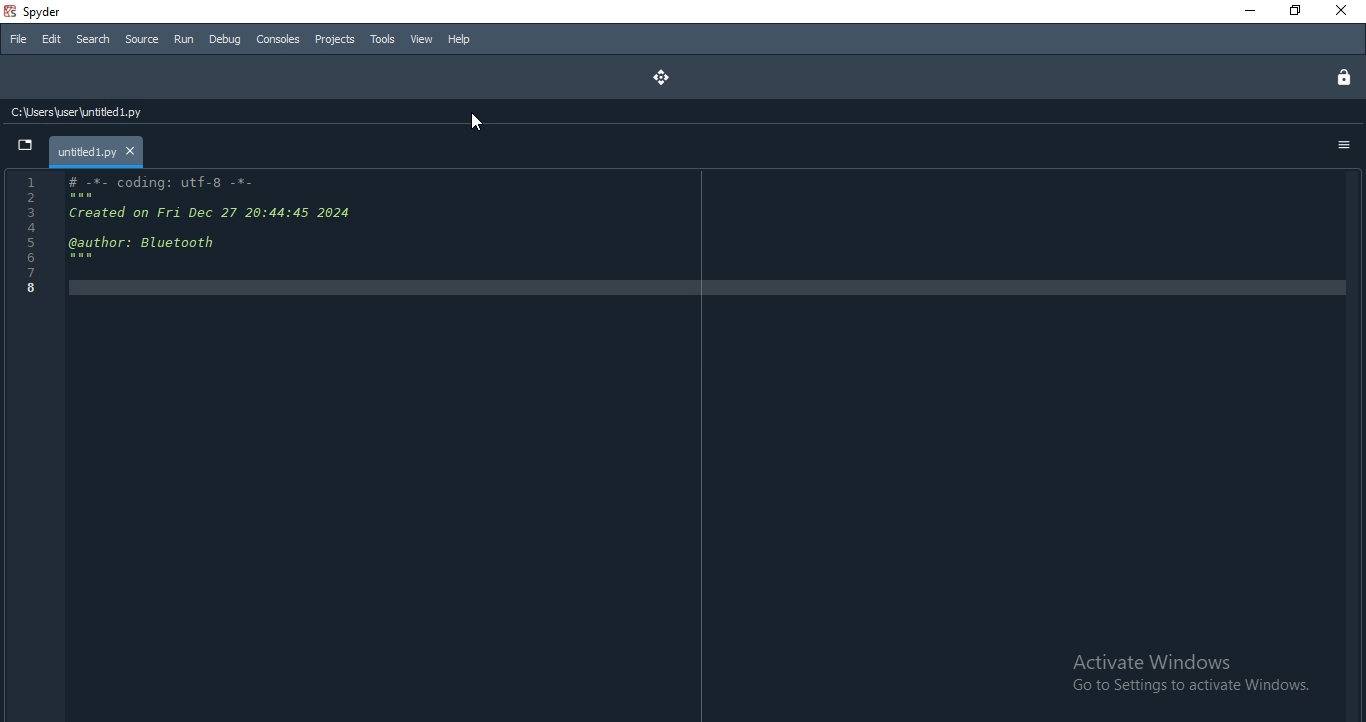  Describe the element at coordinates (216, 239) in the screenshot. I see `1 # -* coding: utf-g -*-

5 Created on Fri Dec 27 20:44:45 2024

H @author: Bluetooth

5
Ca` at that location.